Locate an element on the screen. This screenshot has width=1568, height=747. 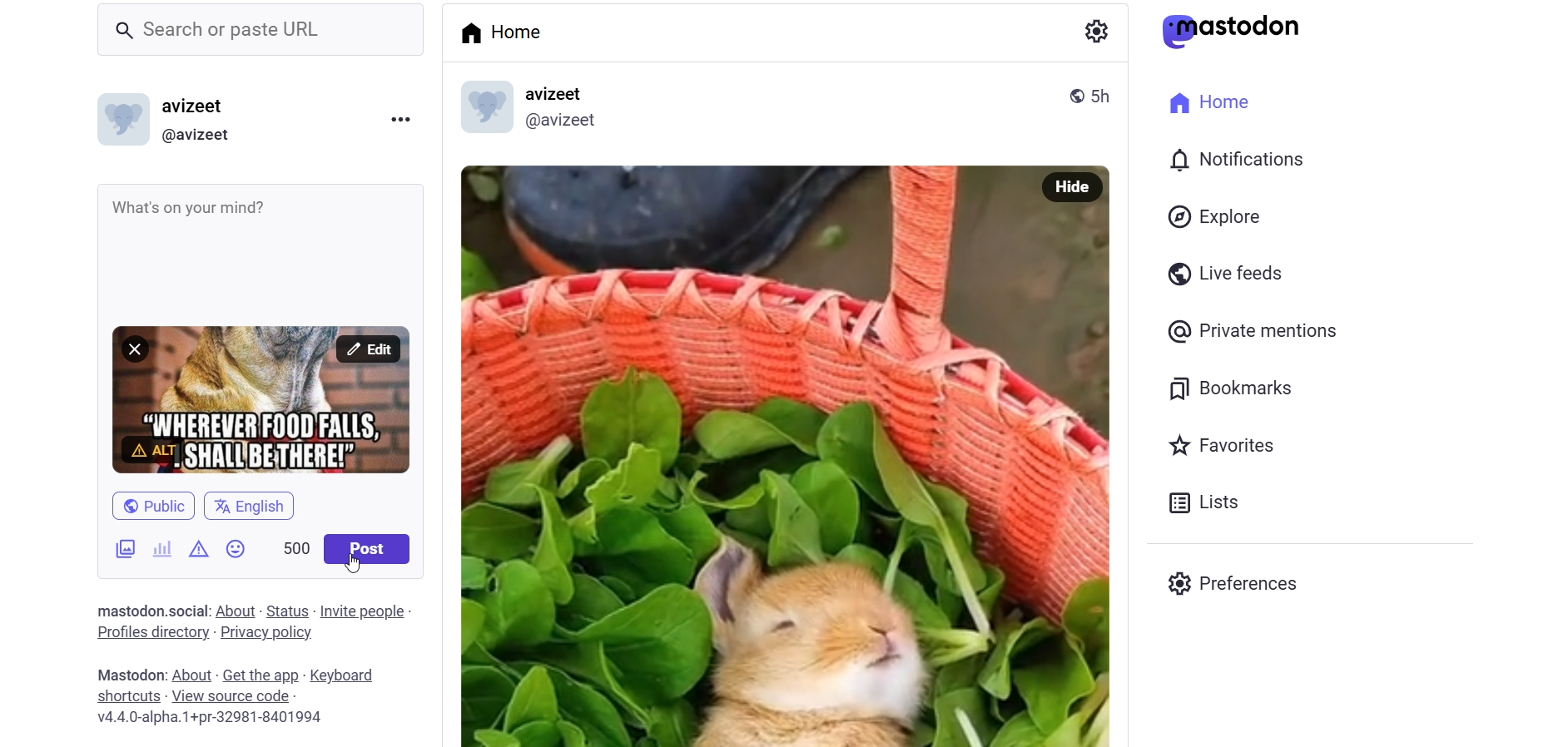
post is located at coordinates (371, 552).